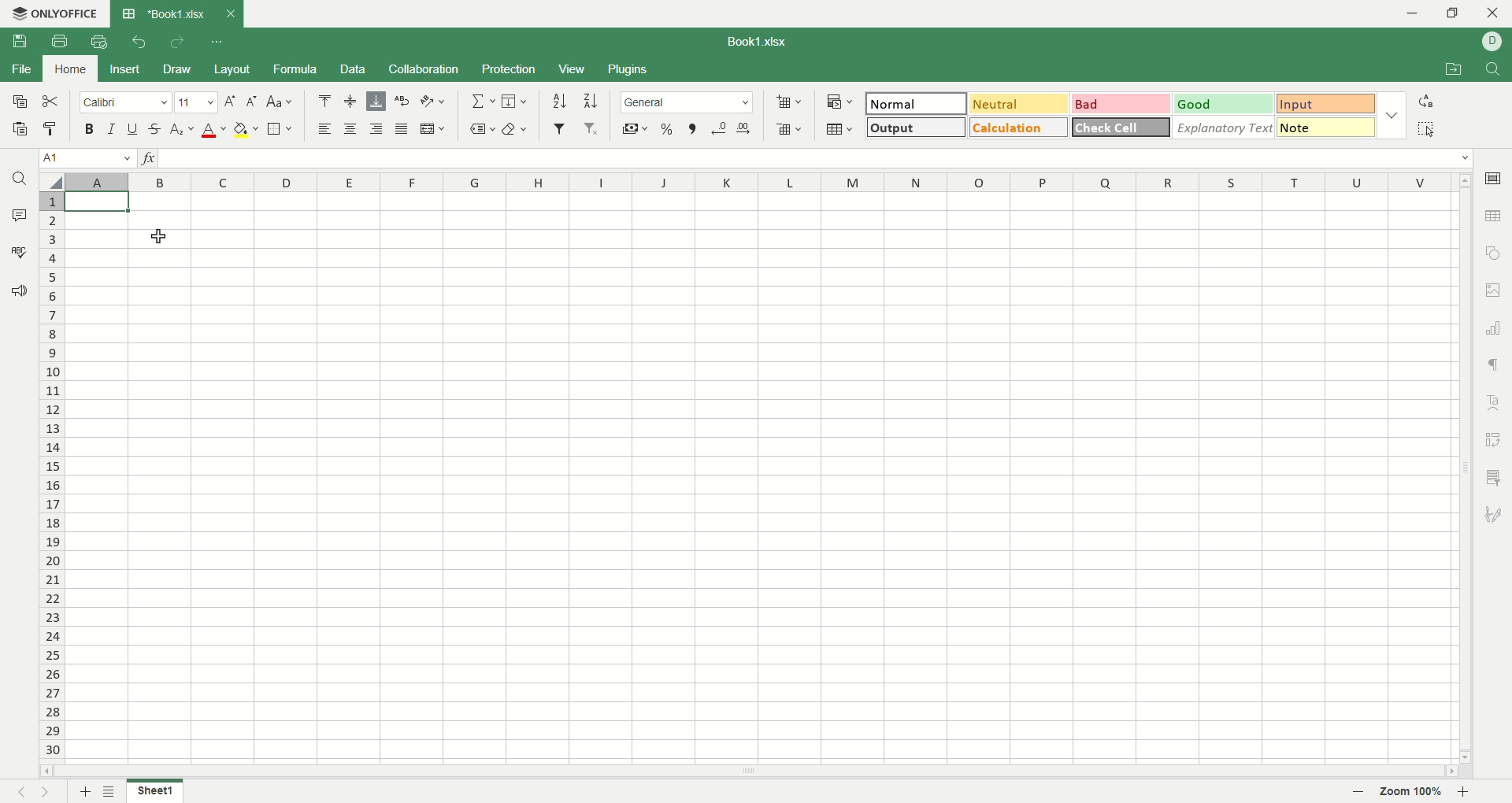 Image resolution: width=1512 pixels, height=803 pixels. Describe the element at coordinates (1494, 366) in the screenshot. I see `paragraph settings` at that location.